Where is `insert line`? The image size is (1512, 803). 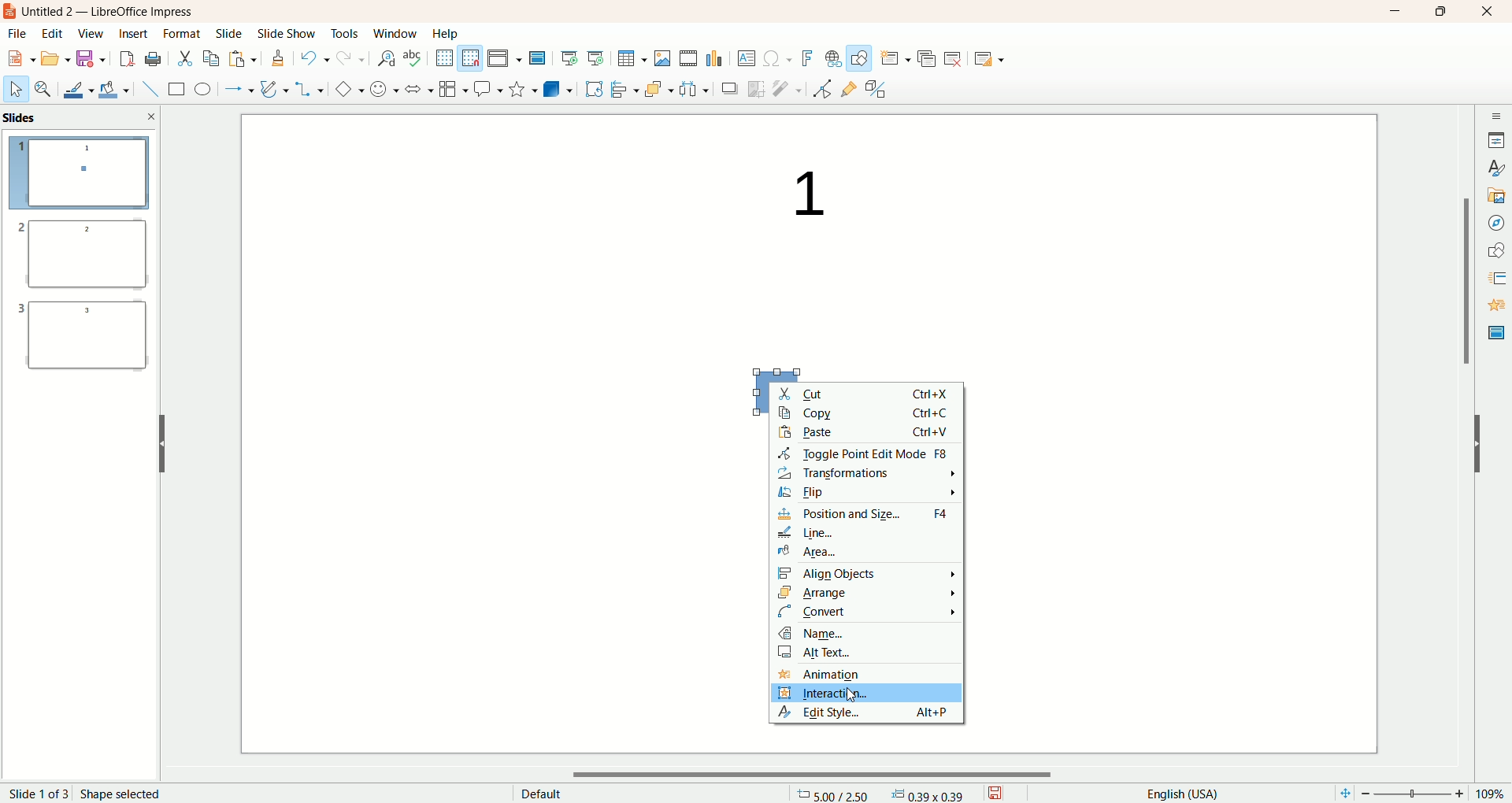 insert line is located at coordinates (145, 89).